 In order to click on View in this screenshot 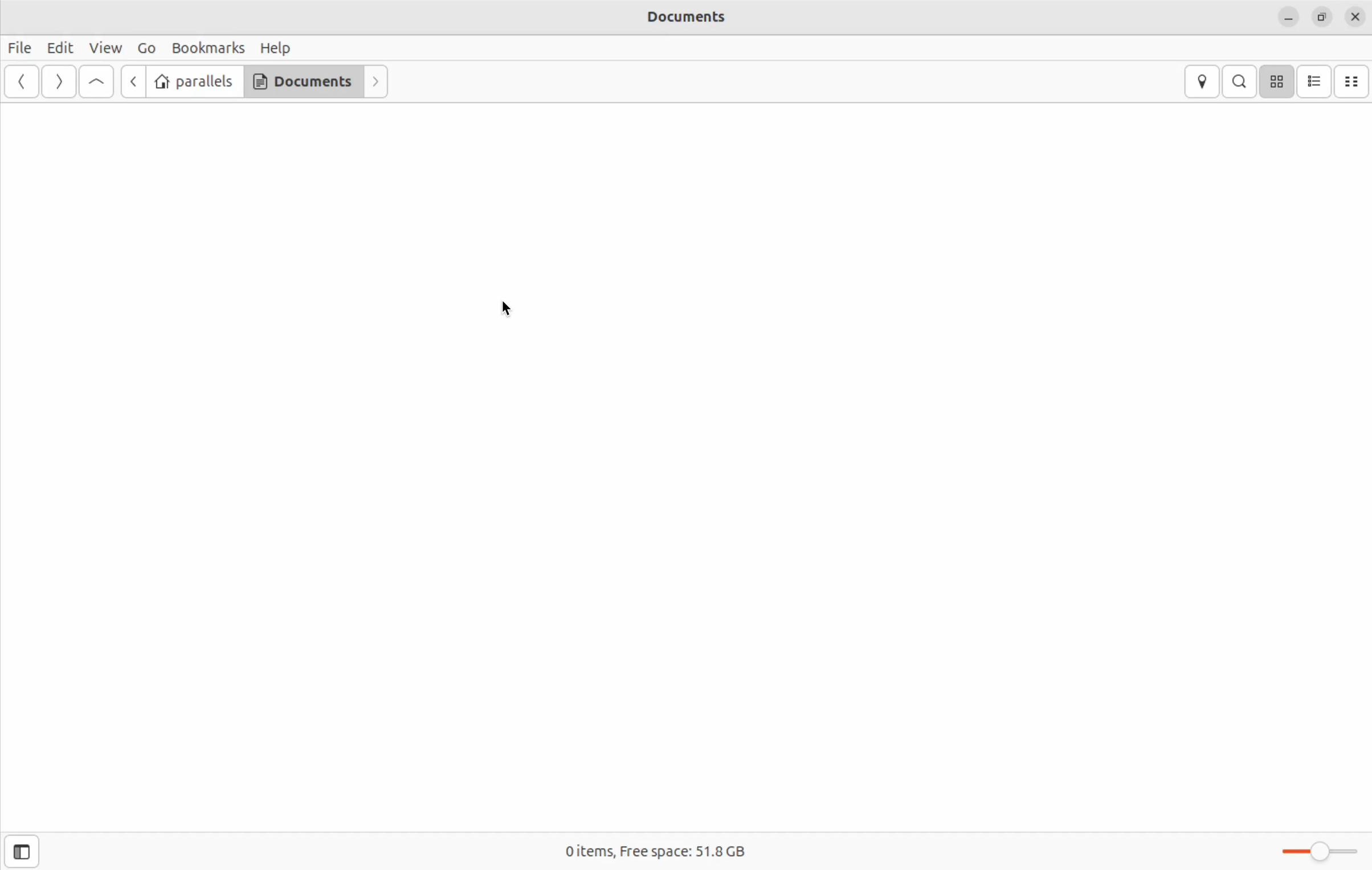, I will do `click(108, 47)`.